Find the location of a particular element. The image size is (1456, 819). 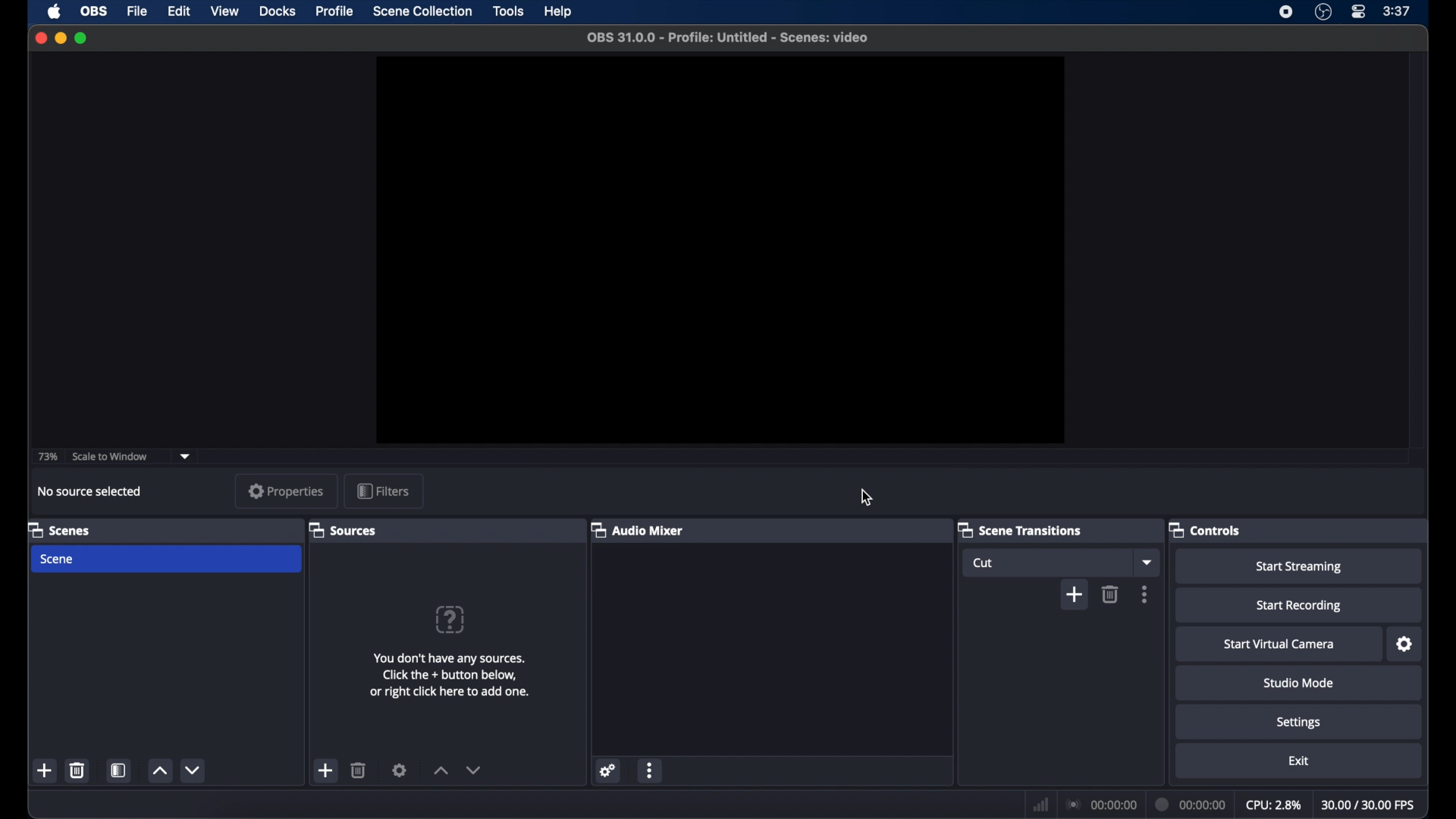

info is located at coordinates (450, 675).